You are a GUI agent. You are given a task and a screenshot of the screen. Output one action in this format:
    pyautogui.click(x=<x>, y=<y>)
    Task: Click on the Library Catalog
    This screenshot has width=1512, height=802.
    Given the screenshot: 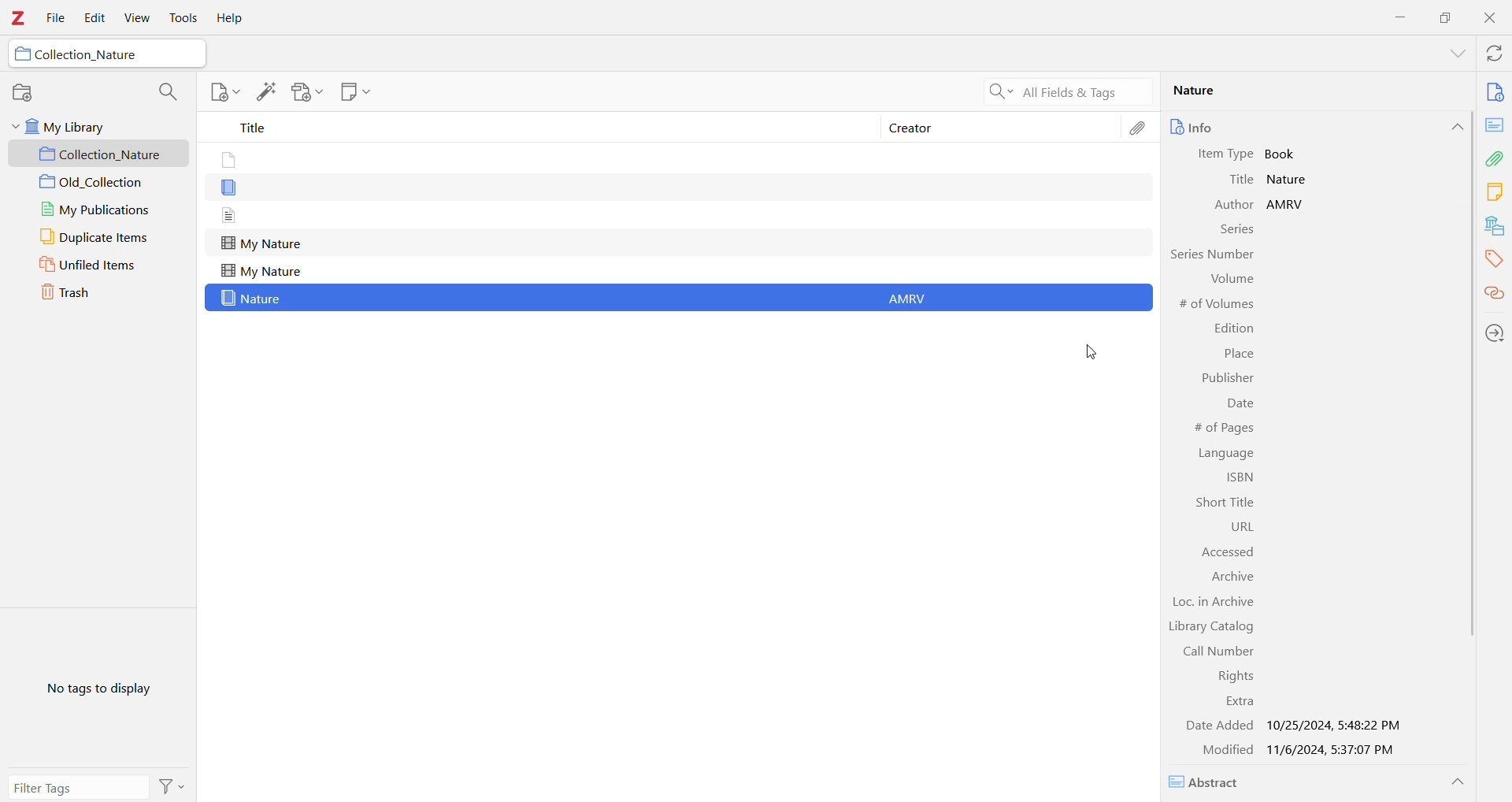 What is the action you would take?
    pyautogui.click(x=1210, y=628)
    